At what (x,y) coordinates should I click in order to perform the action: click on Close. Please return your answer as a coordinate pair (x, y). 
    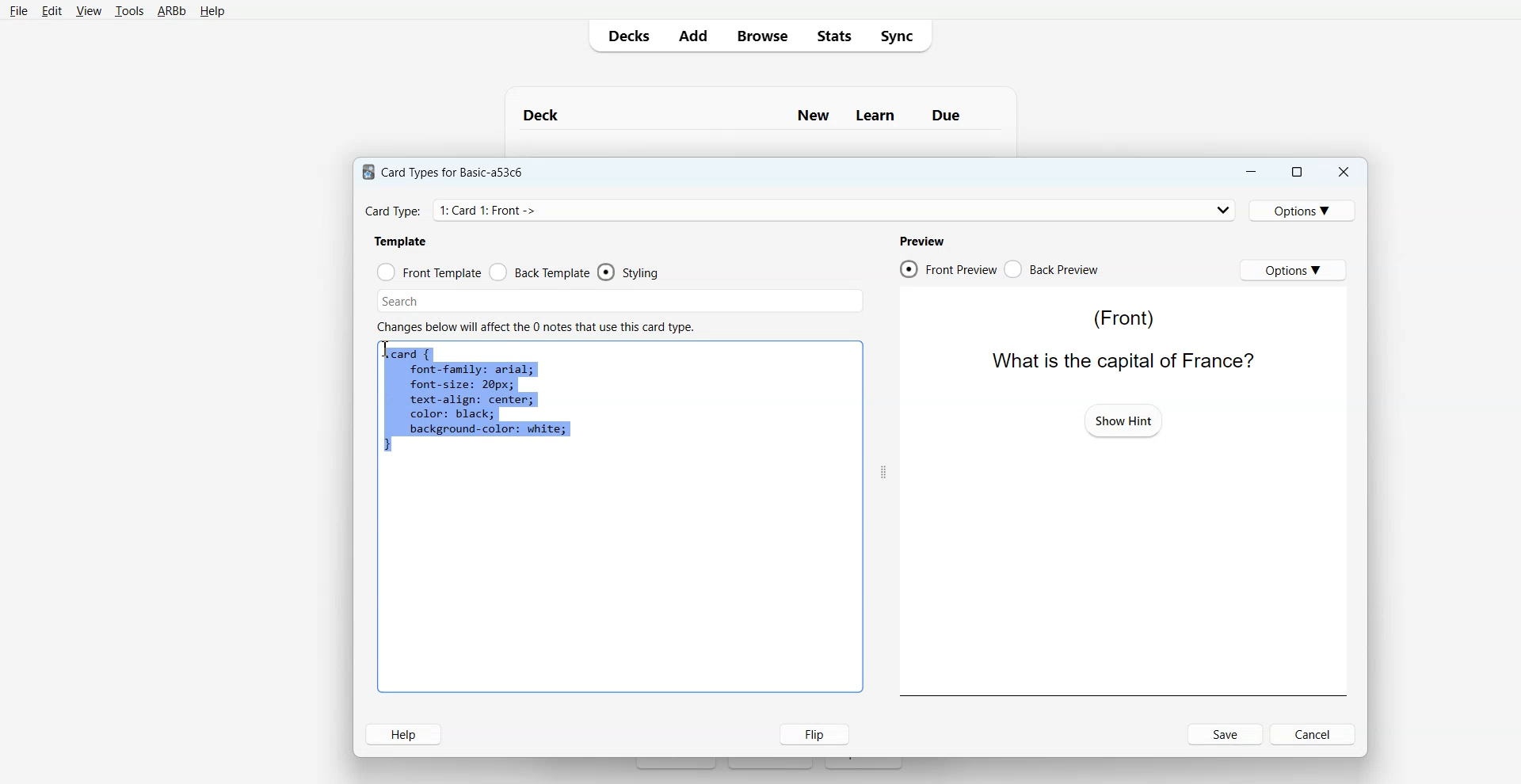
    Looking at the image, I should click on (1343, 173).